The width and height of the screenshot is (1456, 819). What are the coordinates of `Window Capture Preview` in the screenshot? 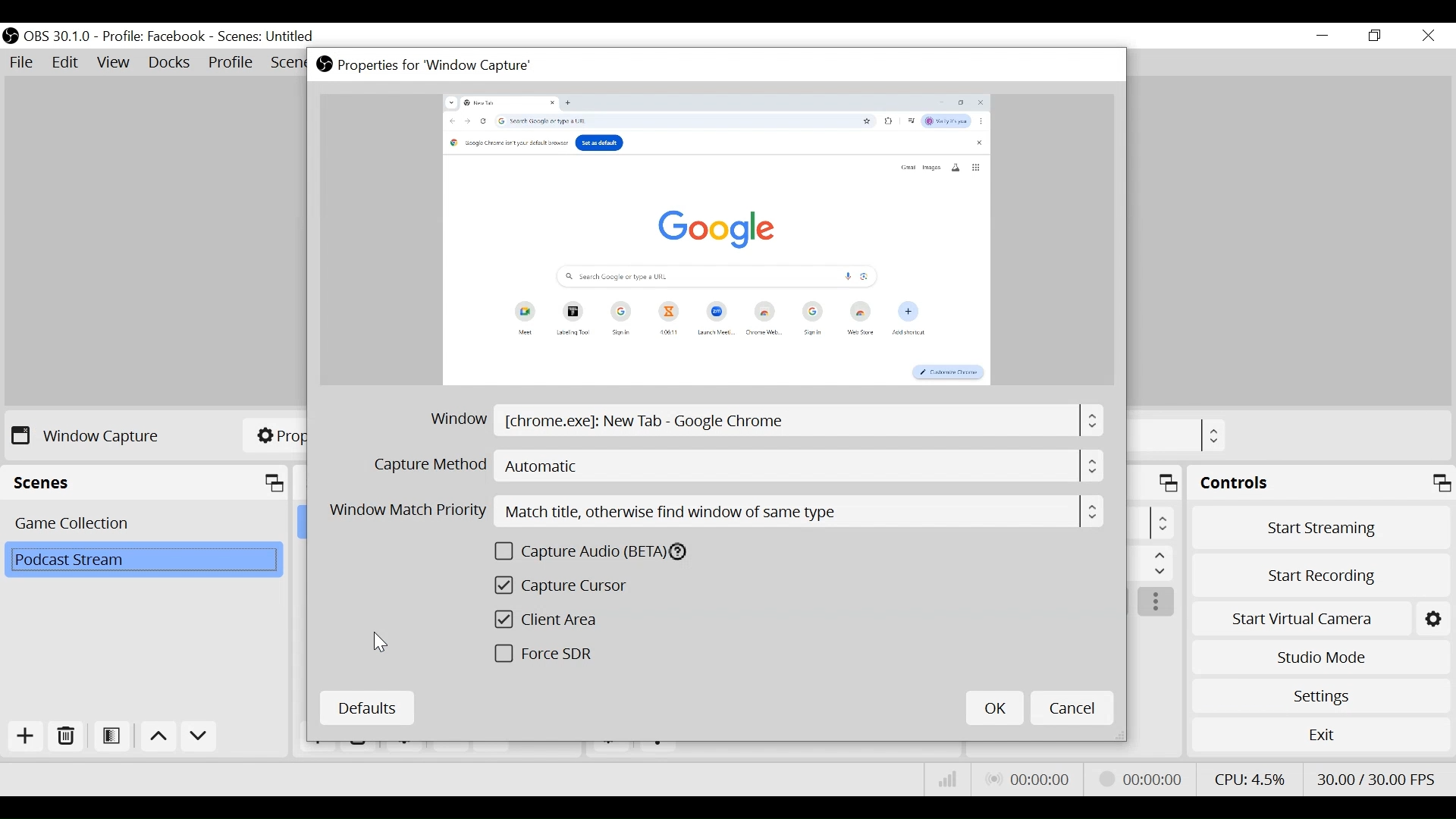 It's located at (714, 242).